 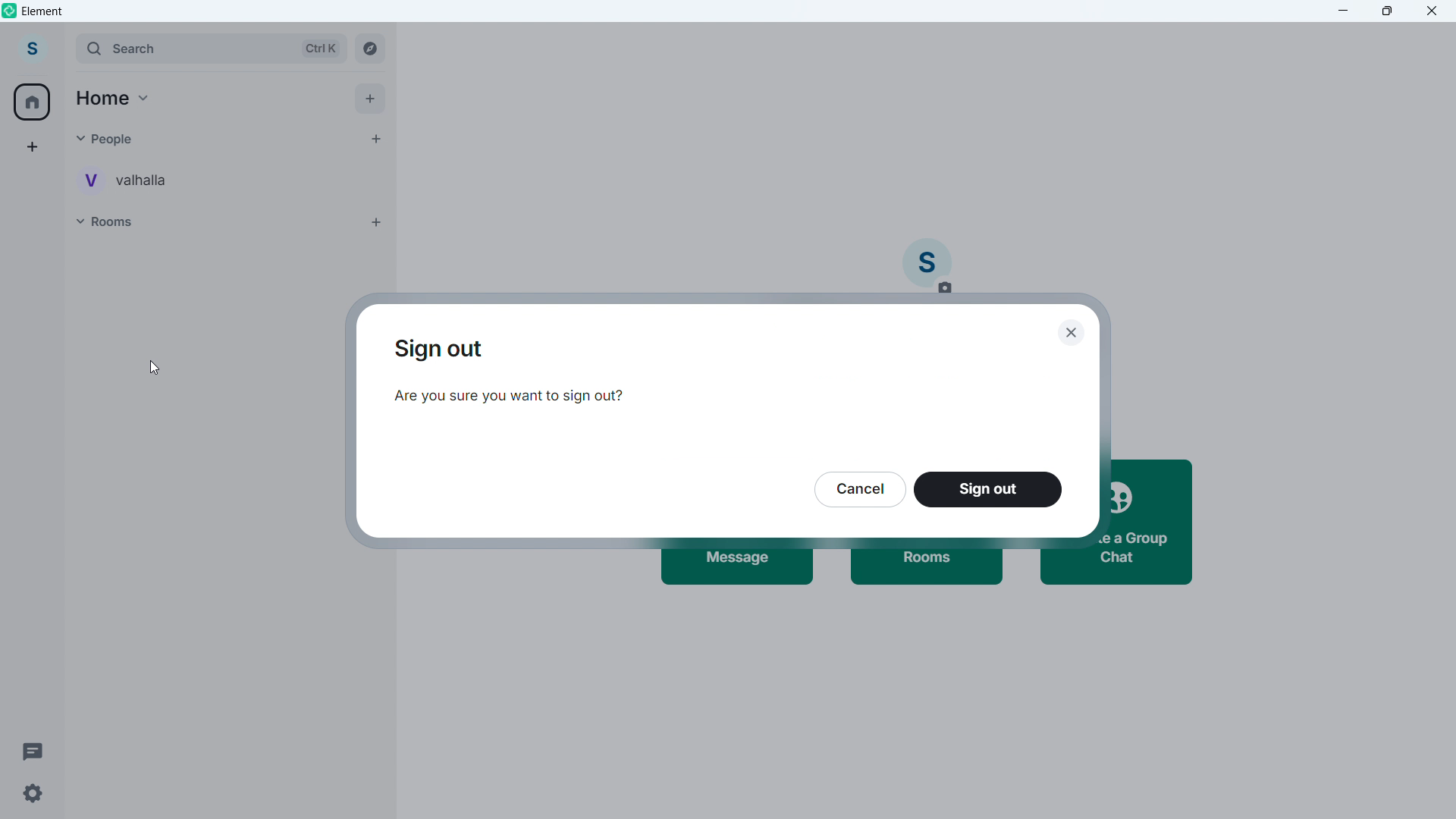 What do you see at coordinates (987, 489) in the screenshot?
I see `Sign out ` at bounding box center [987, 489].